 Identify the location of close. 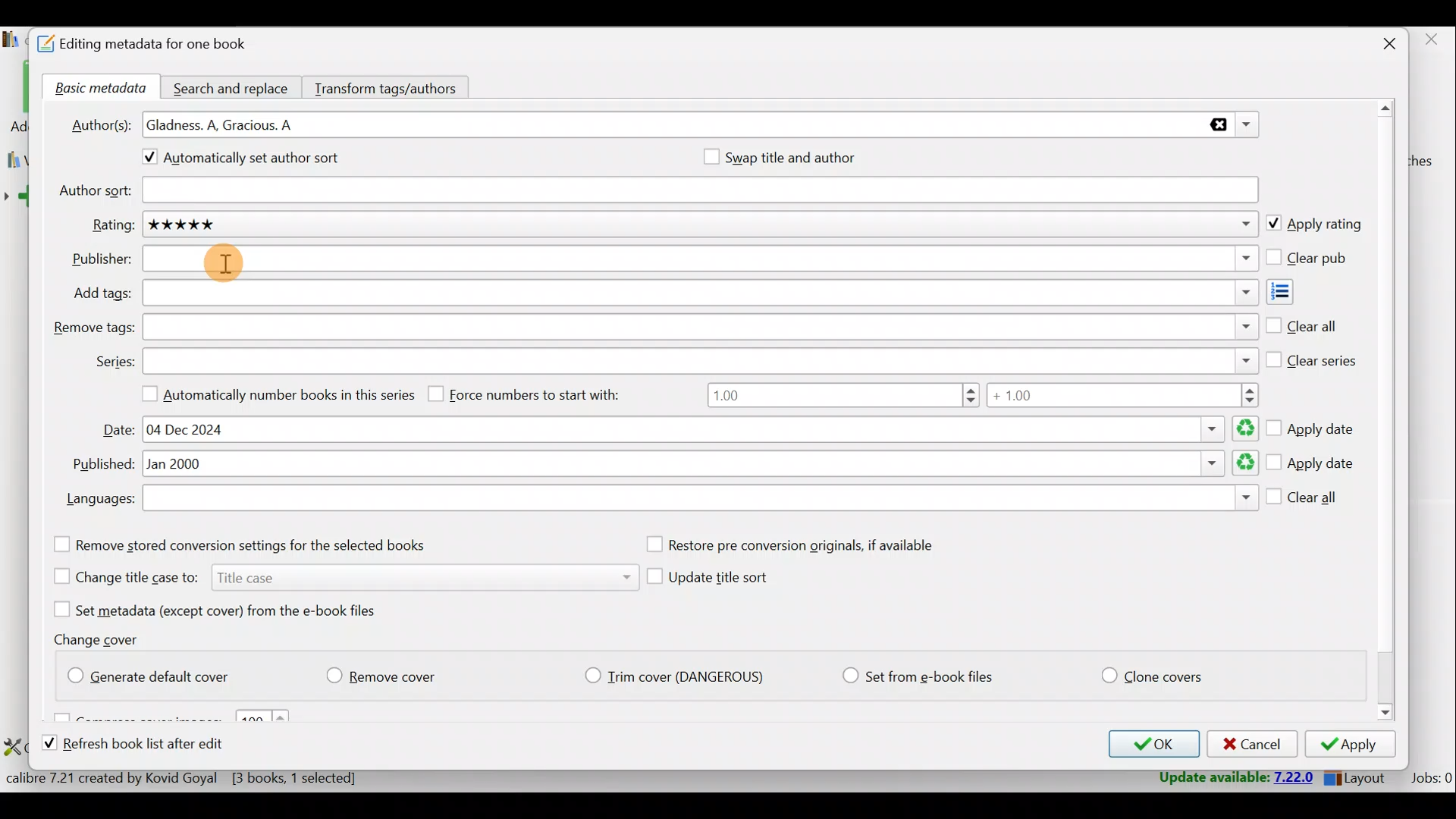
(1430, 40).